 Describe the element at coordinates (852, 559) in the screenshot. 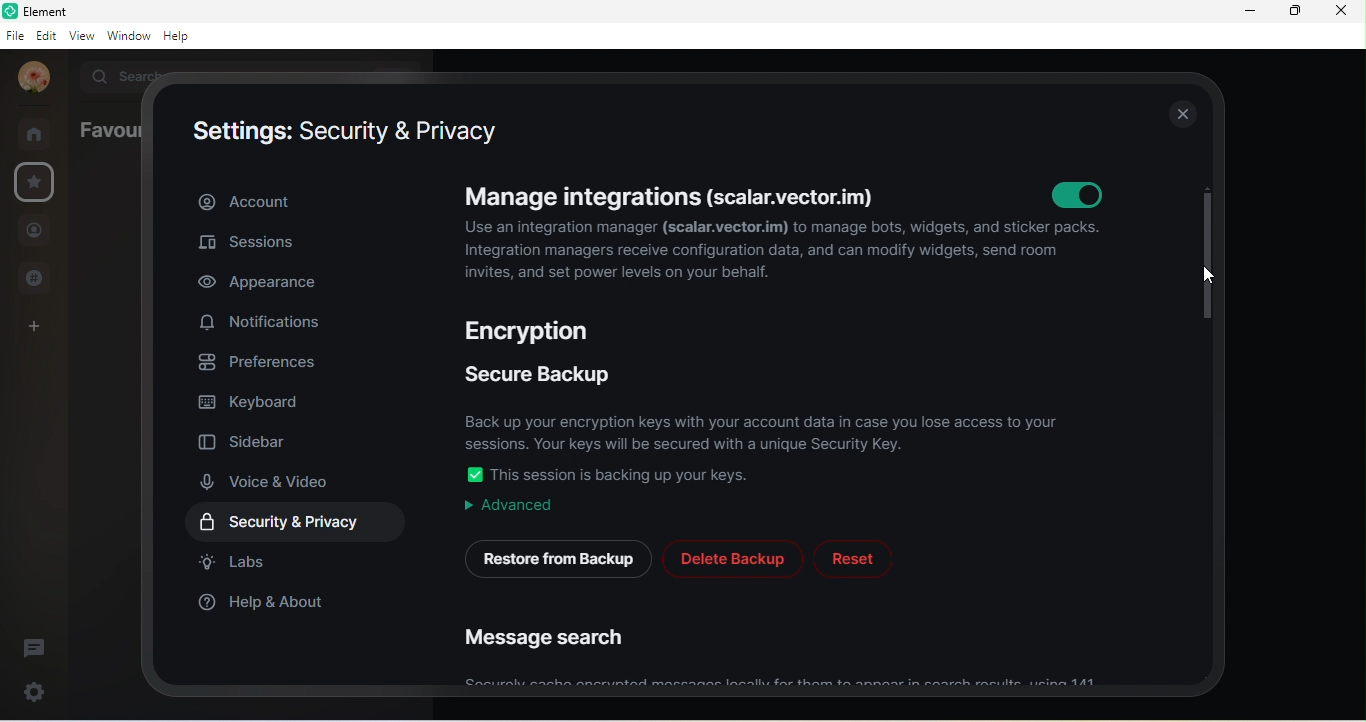

I see `reset` at that location.